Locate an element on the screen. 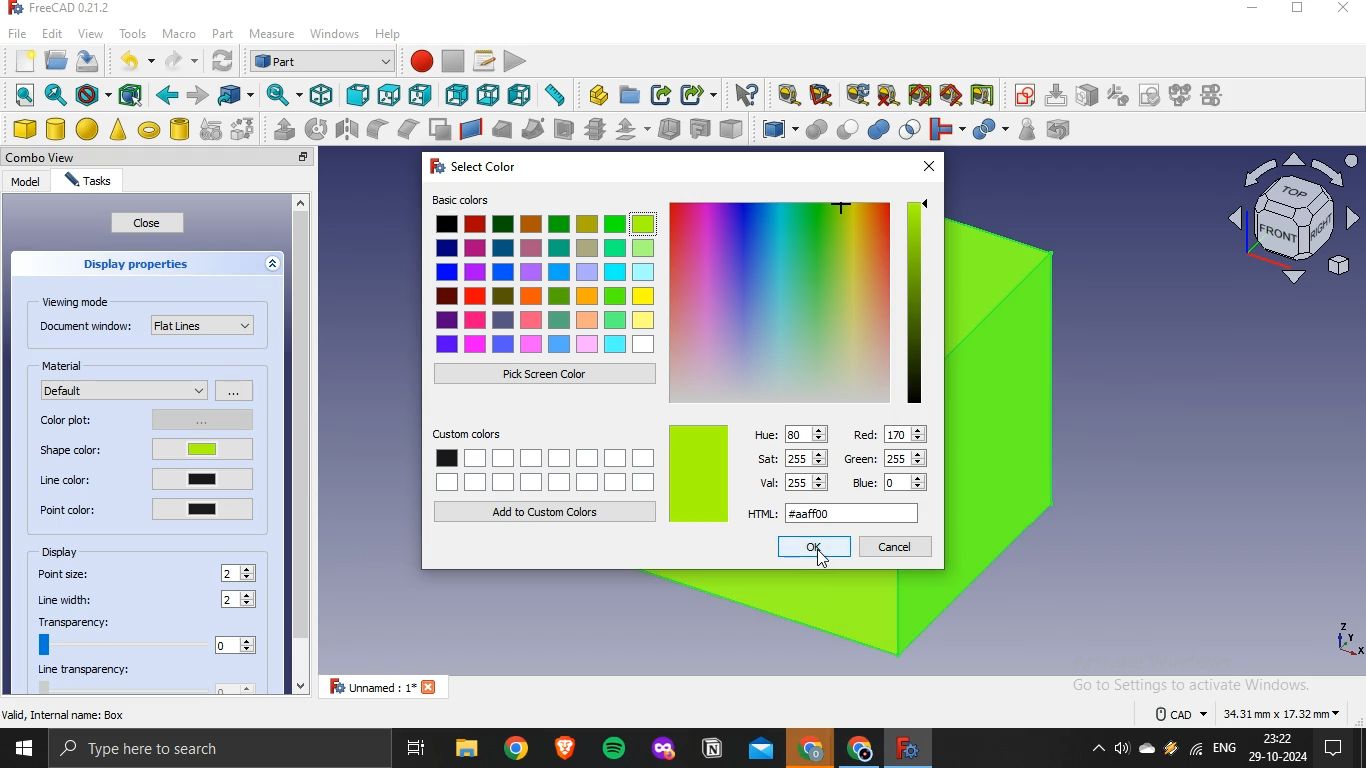 This screenshot has width=1366, height=768. close is located at coordinates (1345, 9).